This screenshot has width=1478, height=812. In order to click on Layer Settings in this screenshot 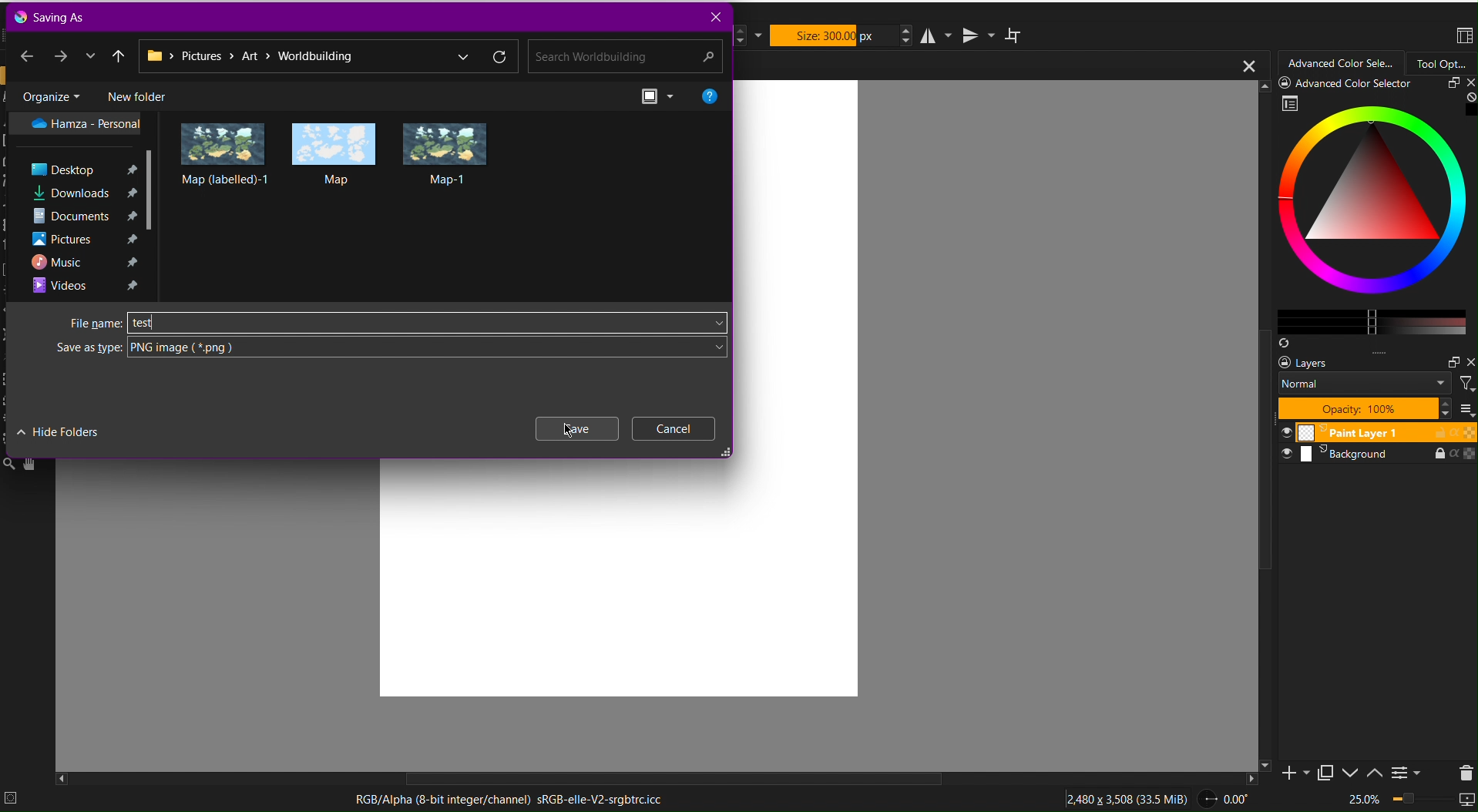, I will do `click(1374, 386)`.